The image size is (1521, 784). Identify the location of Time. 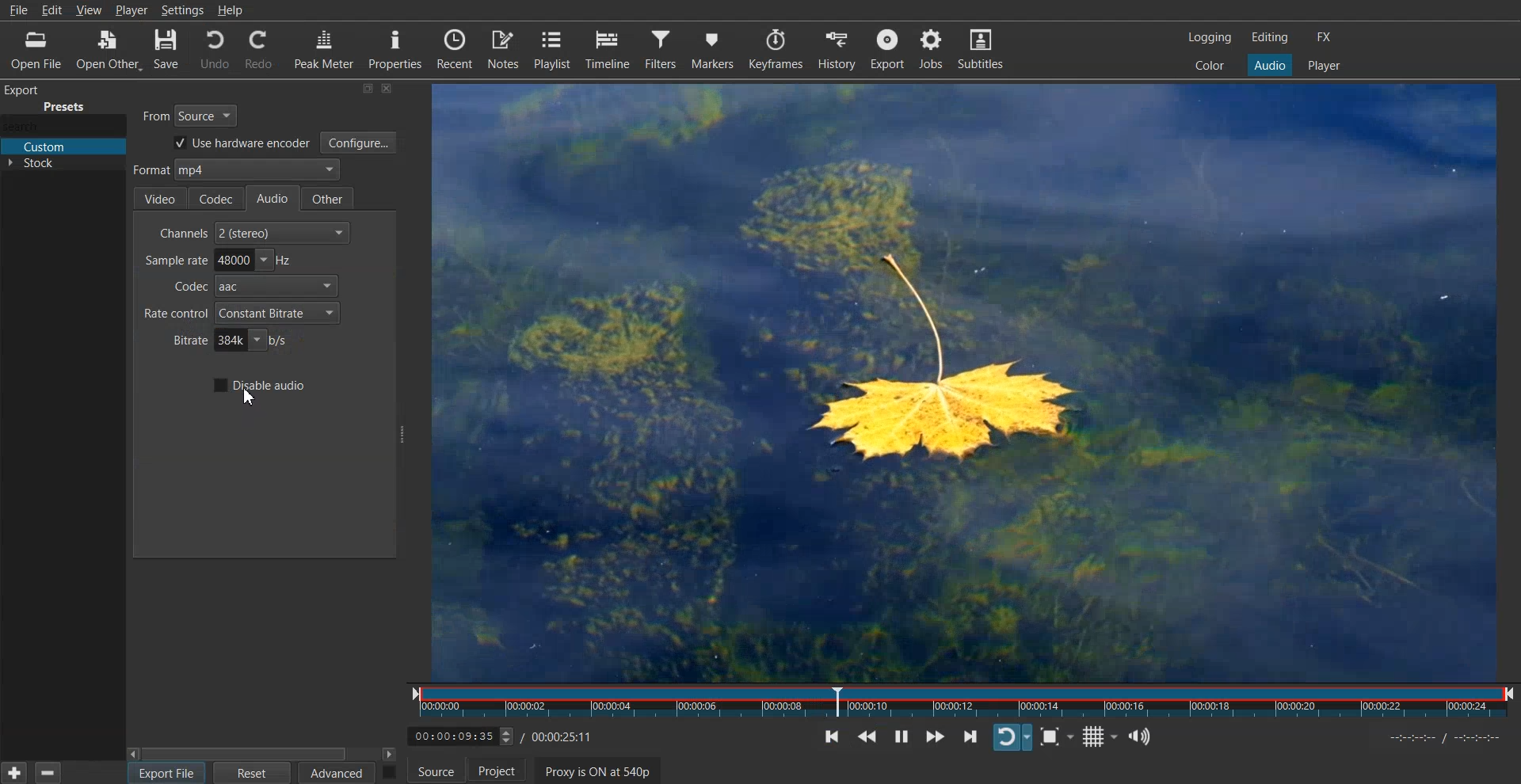
(506, 734).